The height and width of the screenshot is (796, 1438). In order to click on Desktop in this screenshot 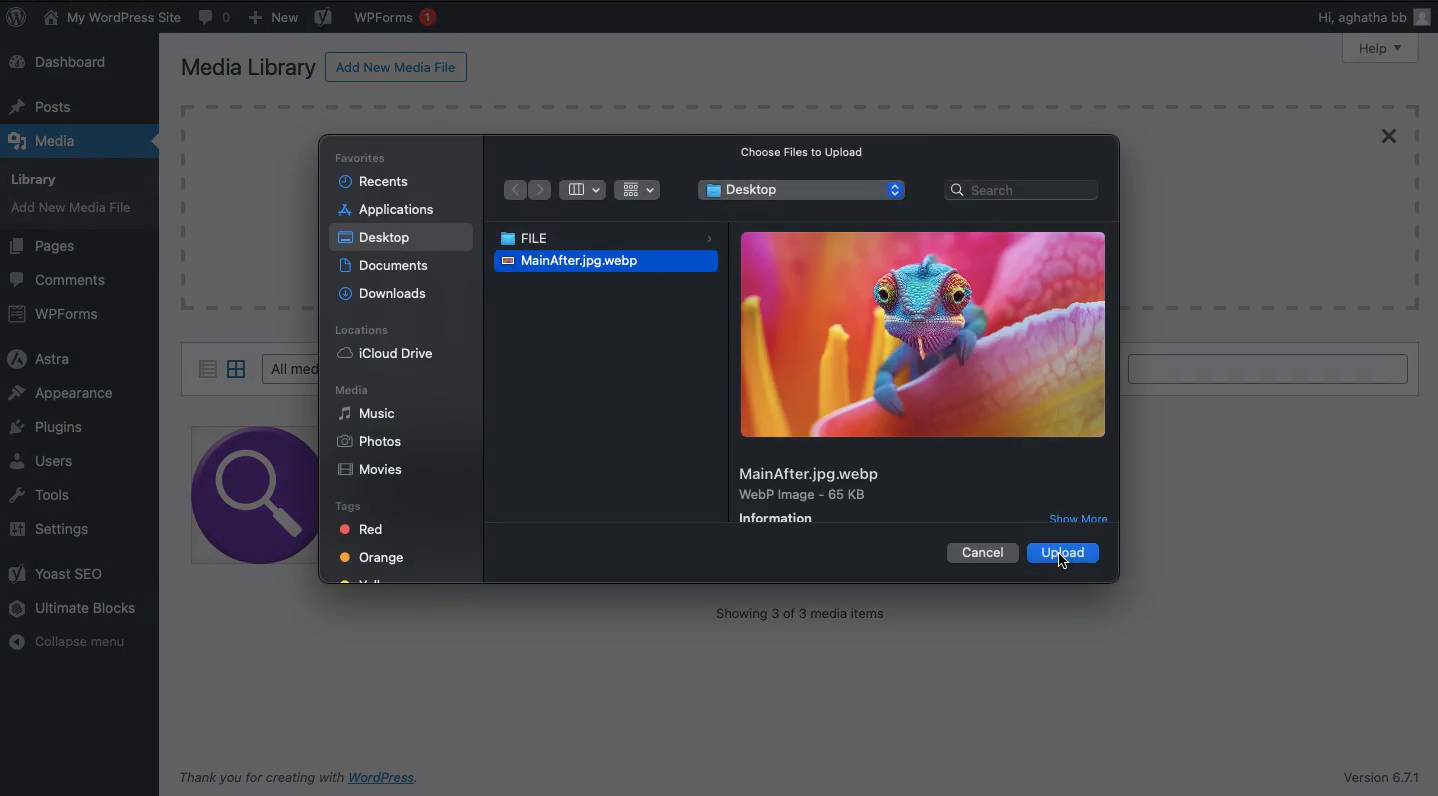, I will do `click(803, 189)`.